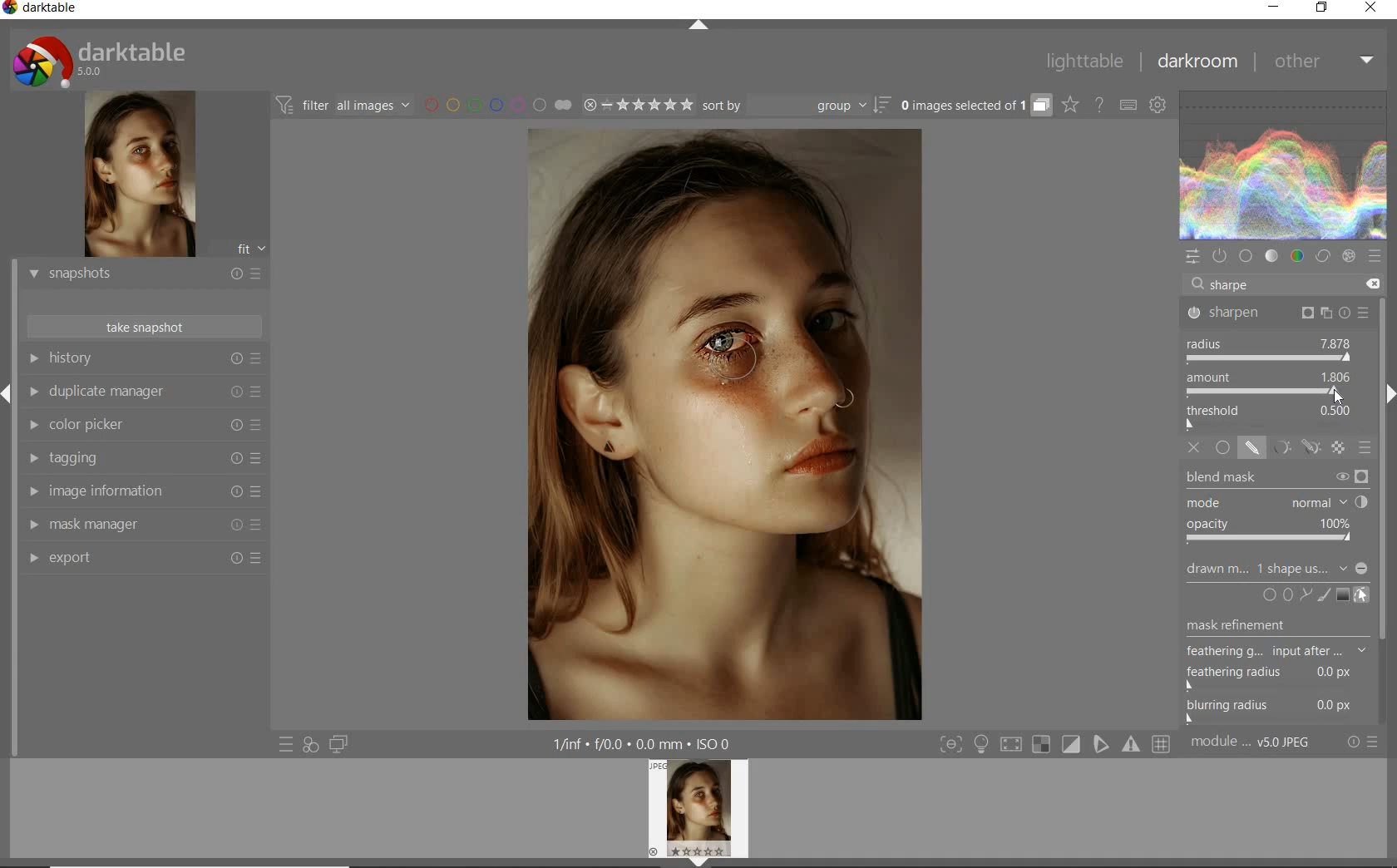 The height and width of the screenshot is (868, 1397). Describe the element at coordinates (1363, 595) in the screenshot. I see `SHOW & EDIT MASK ELEMENTS` at that location.